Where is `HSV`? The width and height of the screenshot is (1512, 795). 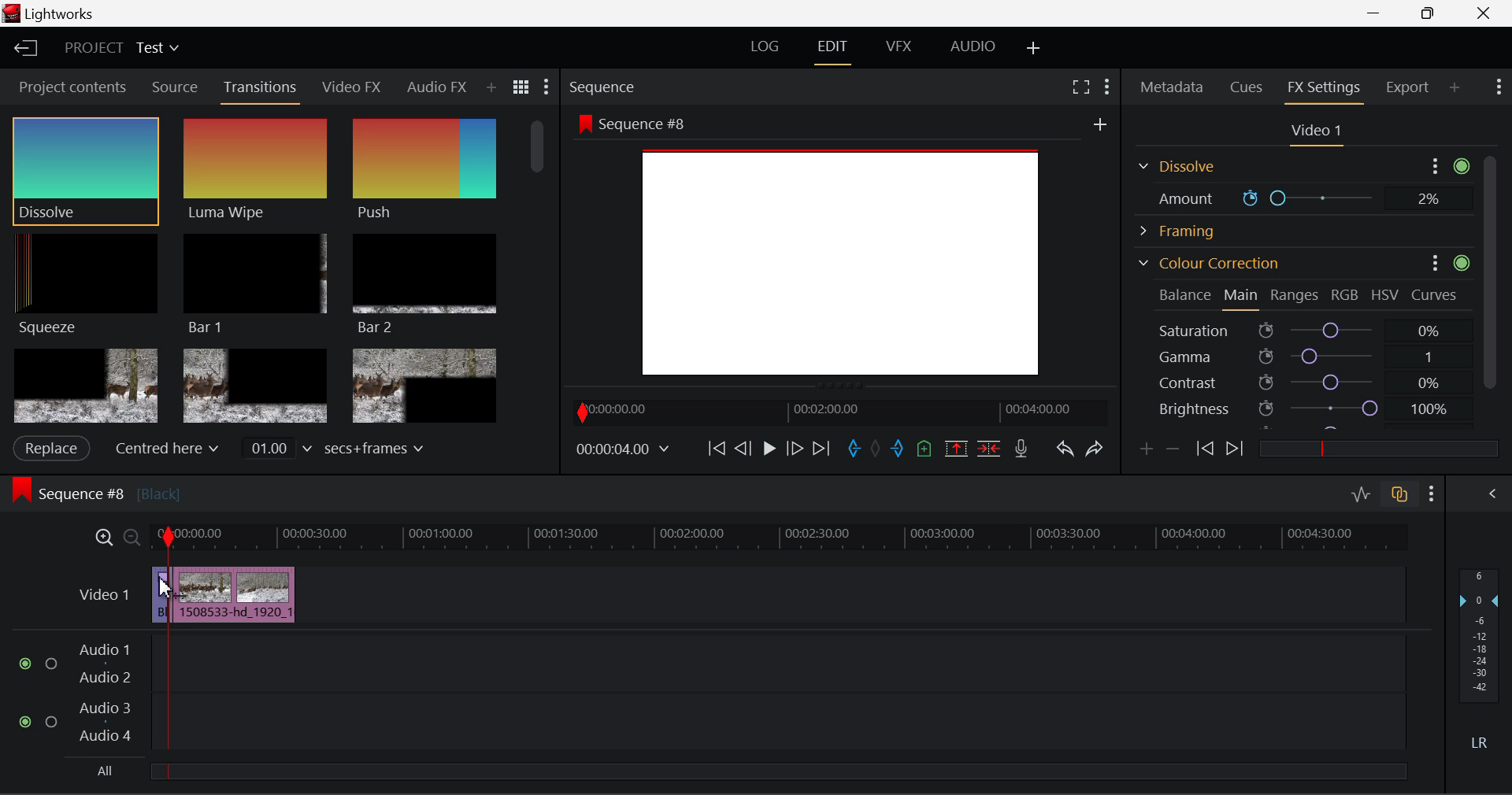 HSV is located at coordinates (1384, 295).